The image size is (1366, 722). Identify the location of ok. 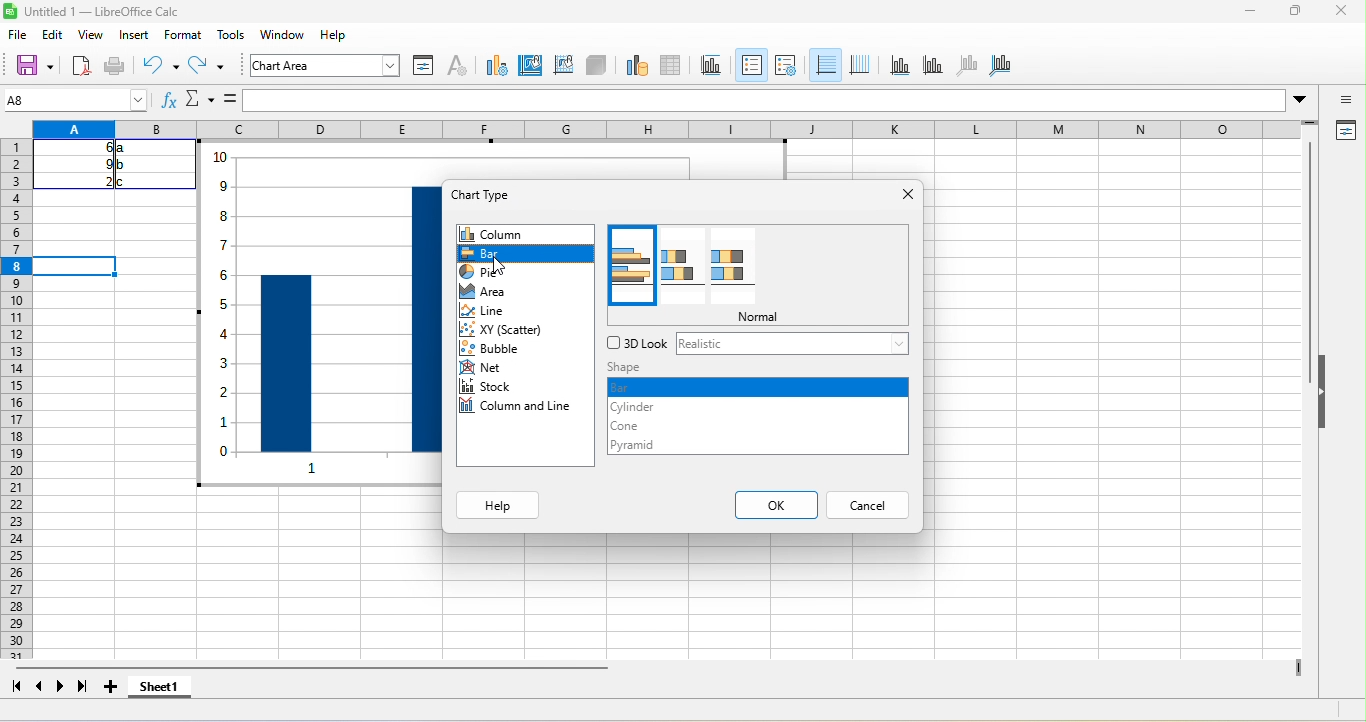
(774, 503).